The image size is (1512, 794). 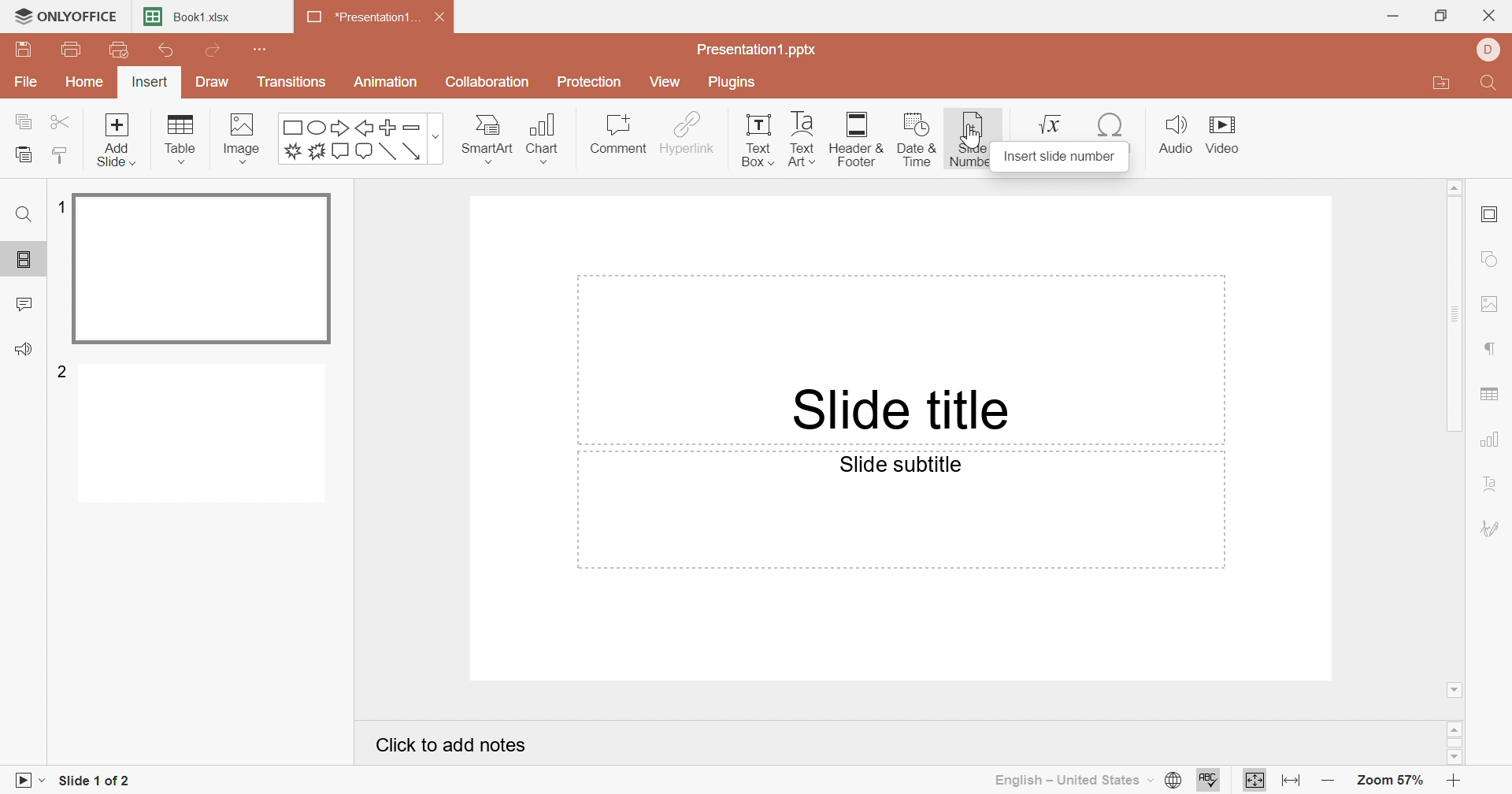 What do you see at coordinates (27, 83) in the screenshot?
I see `File` at bounding box center [27, 83].